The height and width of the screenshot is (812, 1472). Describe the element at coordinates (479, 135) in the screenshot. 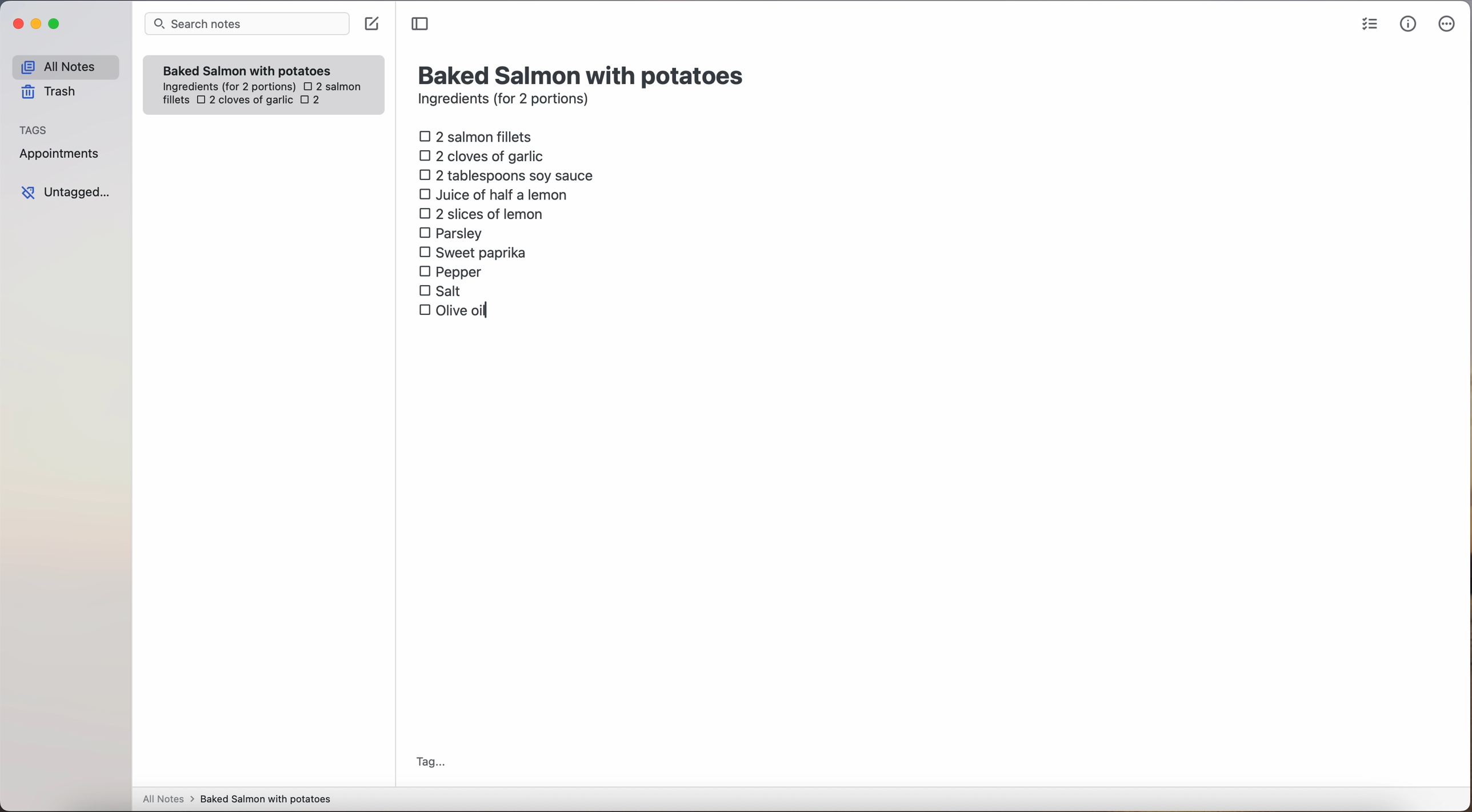

I see `2 salmon fillets` at that location.